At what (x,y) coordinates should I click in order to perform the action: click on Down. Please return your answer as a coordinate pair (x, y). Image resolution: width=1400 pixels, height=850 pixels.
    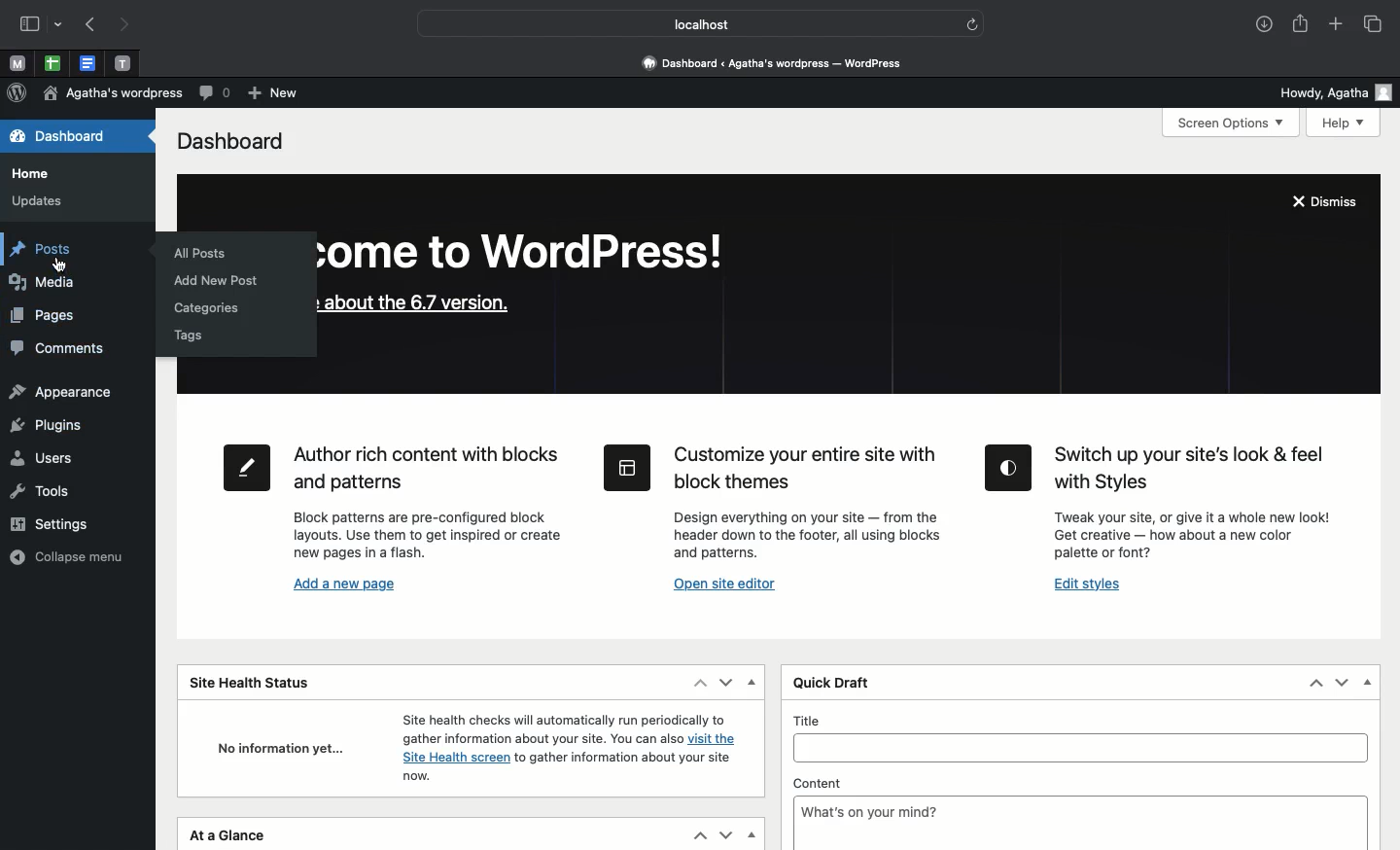
    Looking at the image, I should click on (1340, 681).